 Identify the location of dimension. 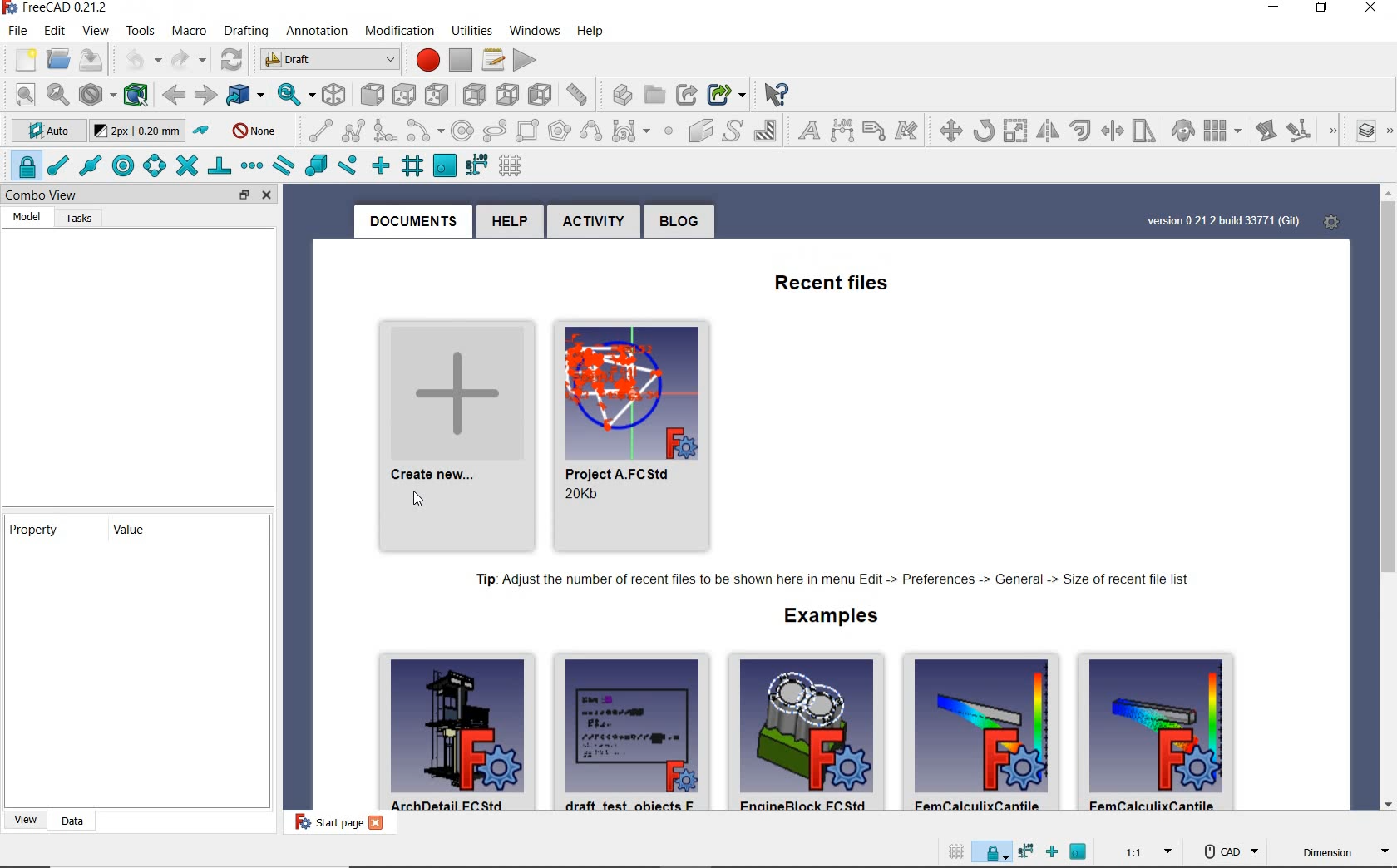
(842, 131).